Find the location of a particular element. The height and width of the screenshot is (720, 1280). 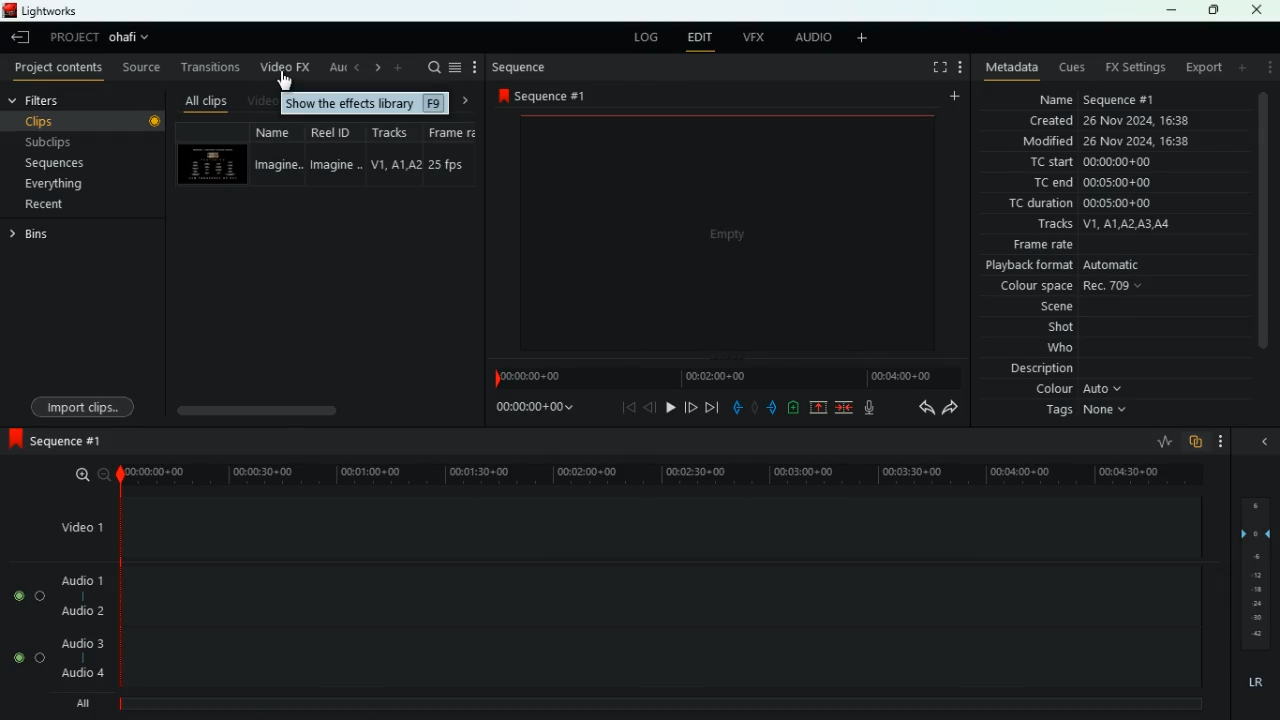

tracks is located at coordinates (398, 155).